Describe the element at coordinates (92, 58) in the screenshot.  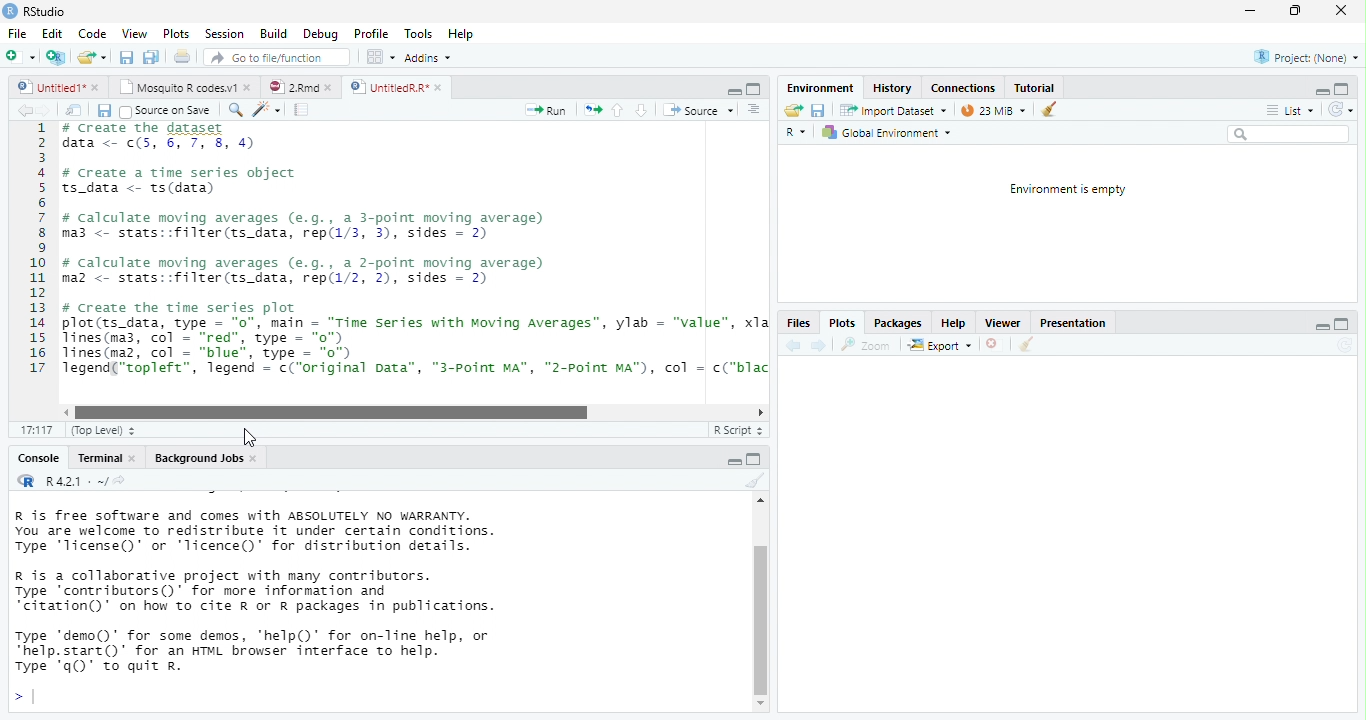
I see `open an existing file` at that location.